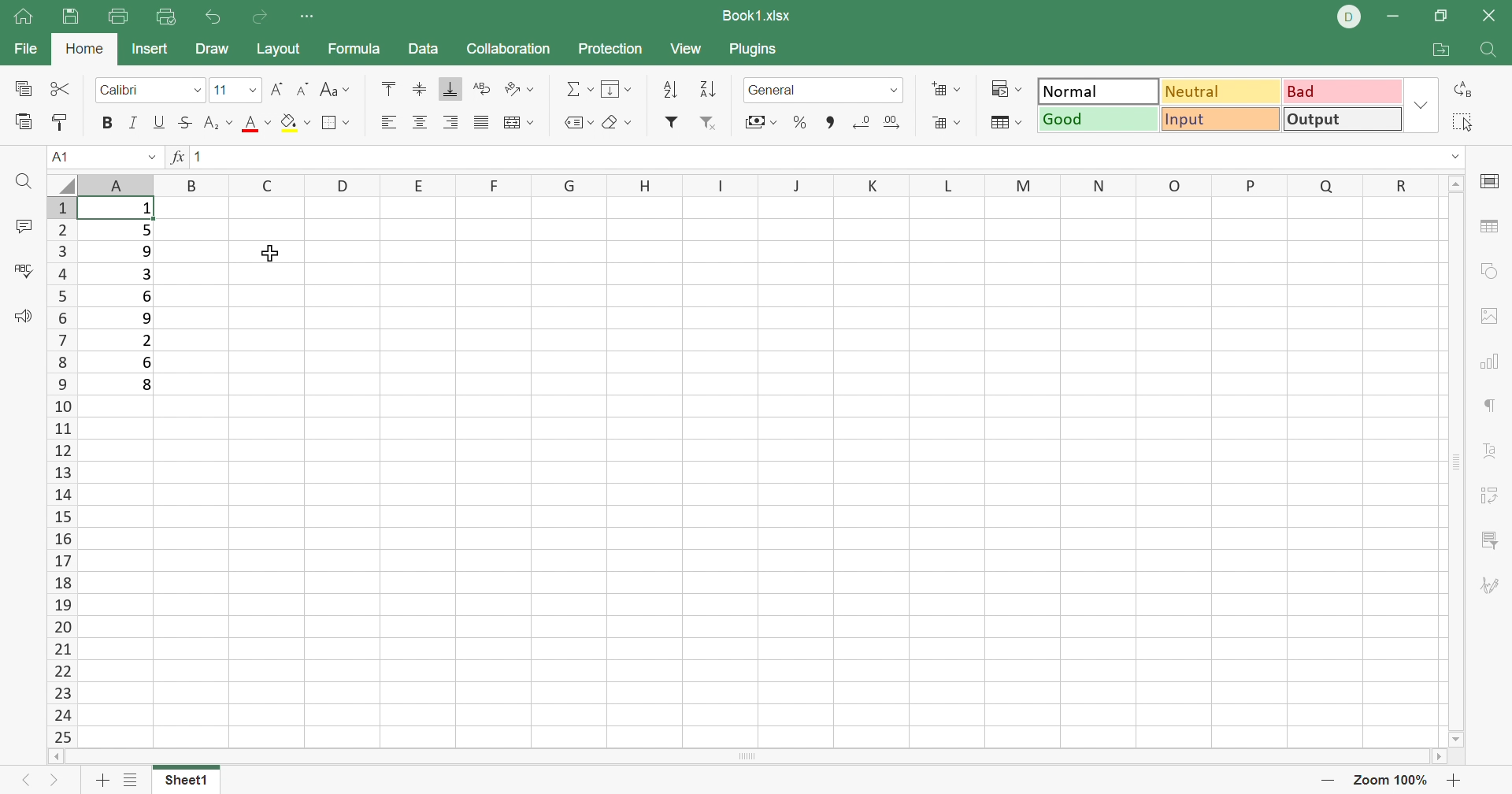  What do you see at coordinates (1462, 123) in the screenshot?
I see `Select all` at bounding box center [1462, 123].